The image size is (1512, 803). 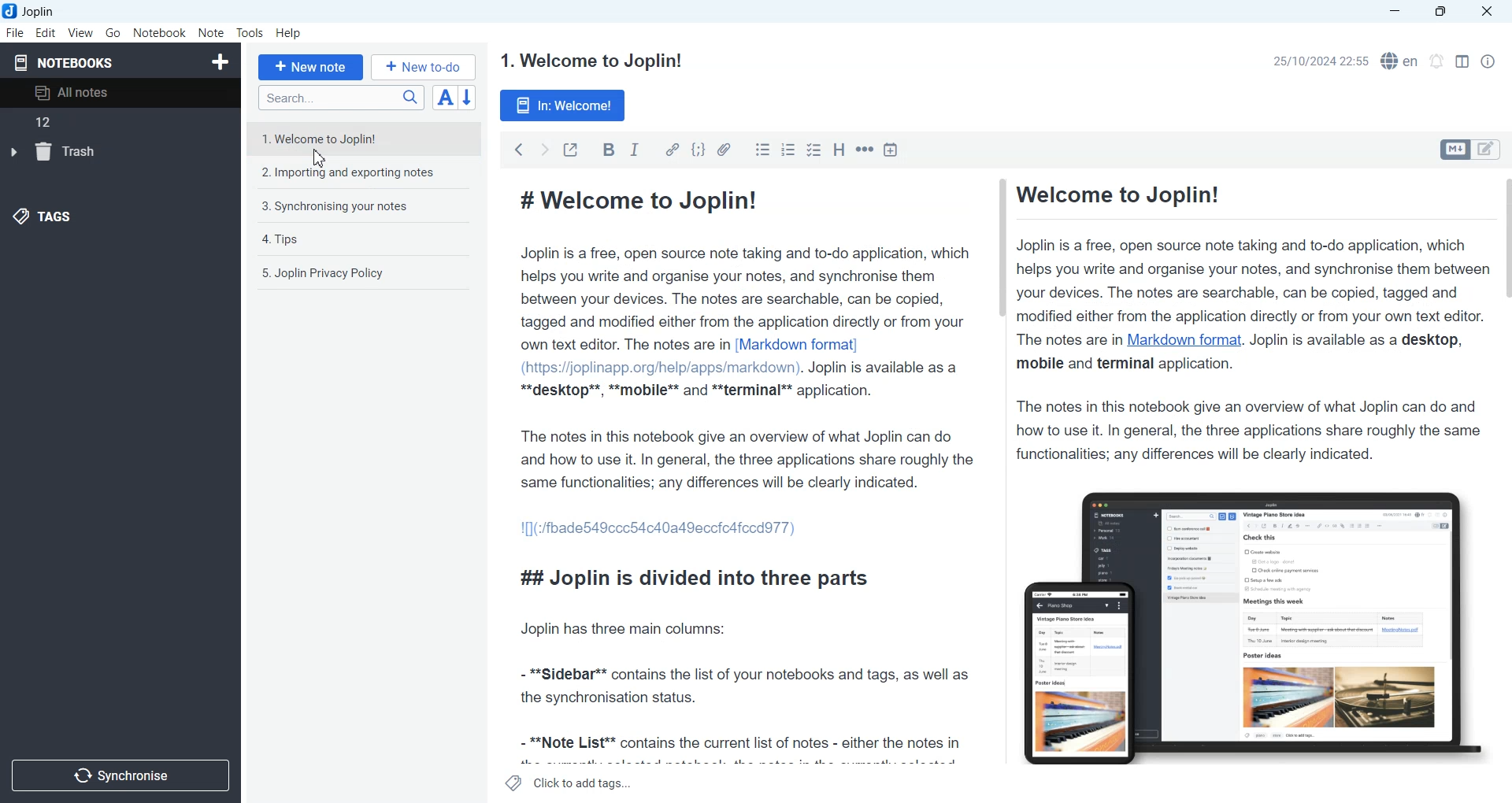 I want to click on Horizontal rule, so click(x=865, y=150).